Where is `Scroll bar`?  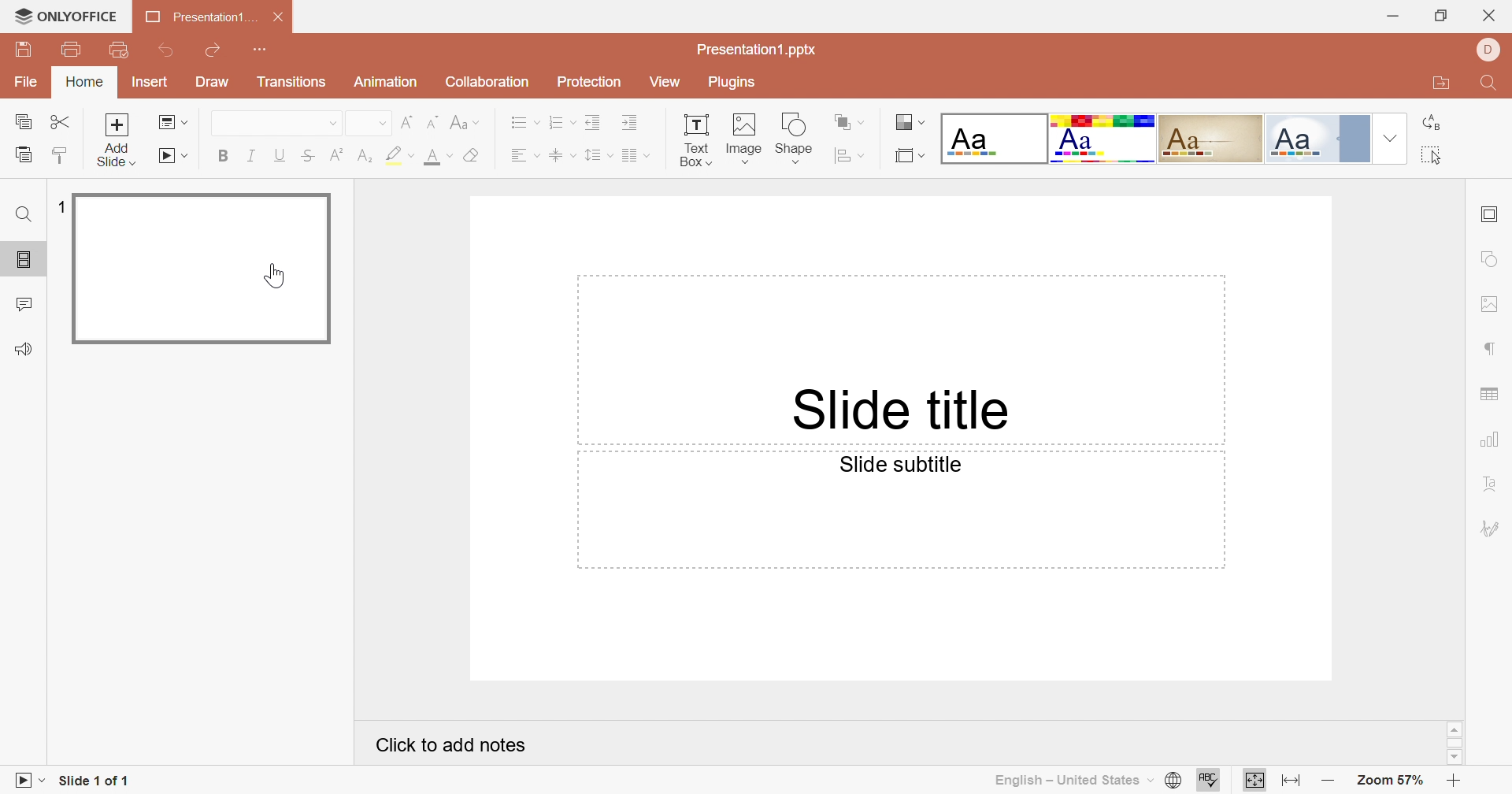 Scroll bar is located at coordinates (1458, 741).